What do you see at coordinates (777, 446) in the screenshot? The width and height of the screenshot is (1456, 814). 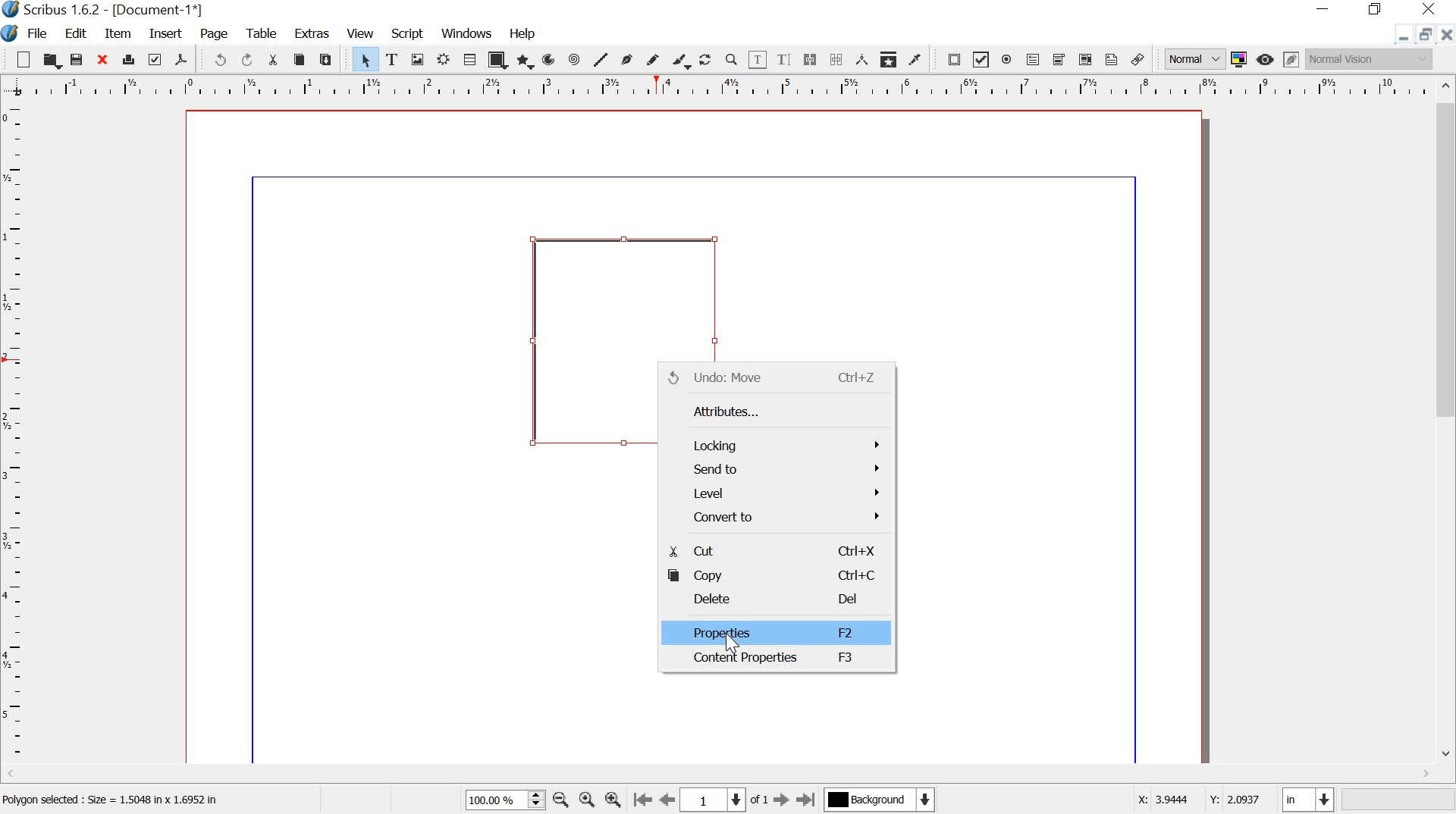 I see `locking` at bounding box center [777, 446].